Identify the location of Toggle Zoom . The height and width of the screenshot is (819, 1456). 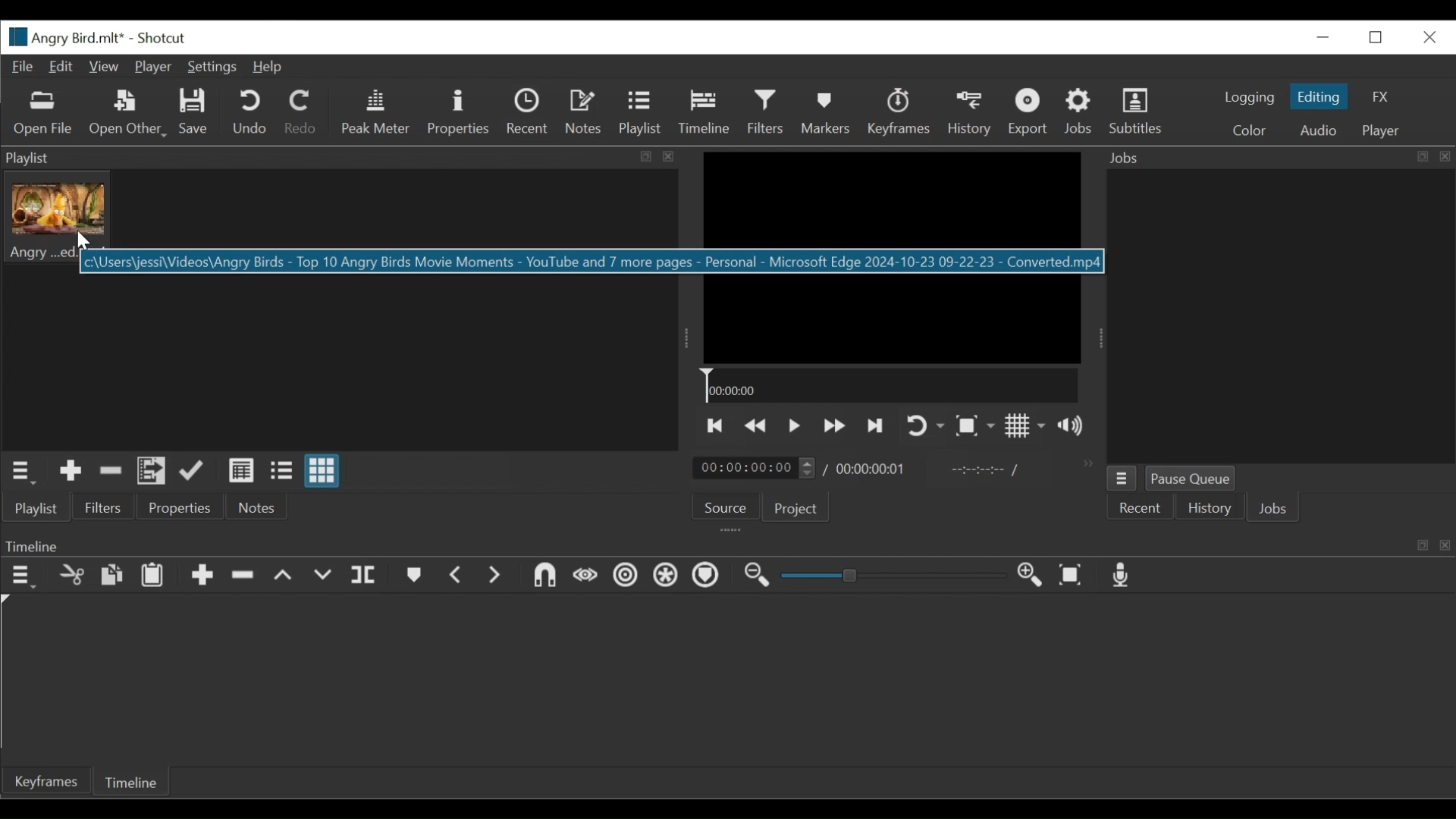
(975, 425).